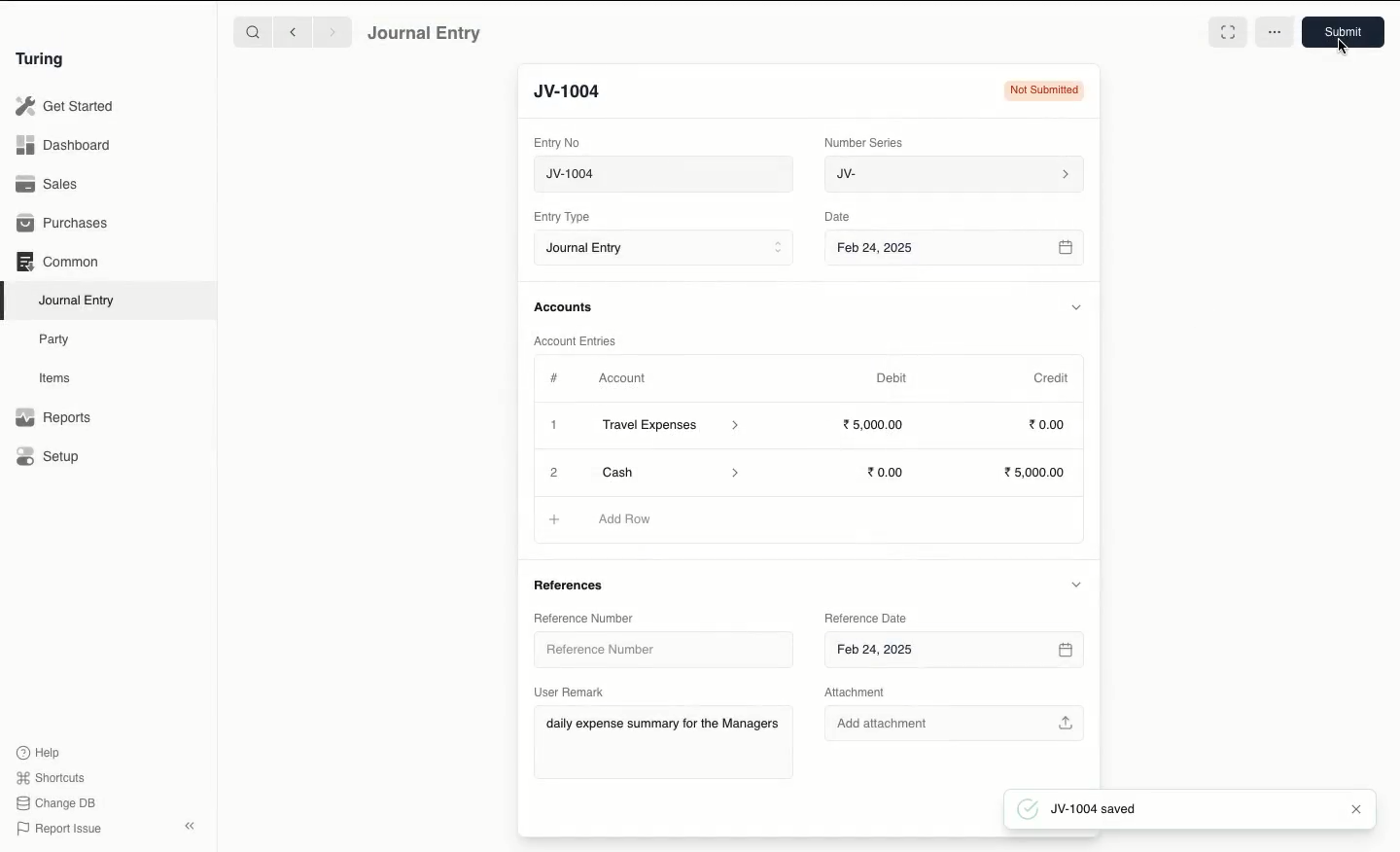 The image size is (1400, 852). Describe the element at coordinates (1048, 423) in the screenshot. I see `0.00` at that location.